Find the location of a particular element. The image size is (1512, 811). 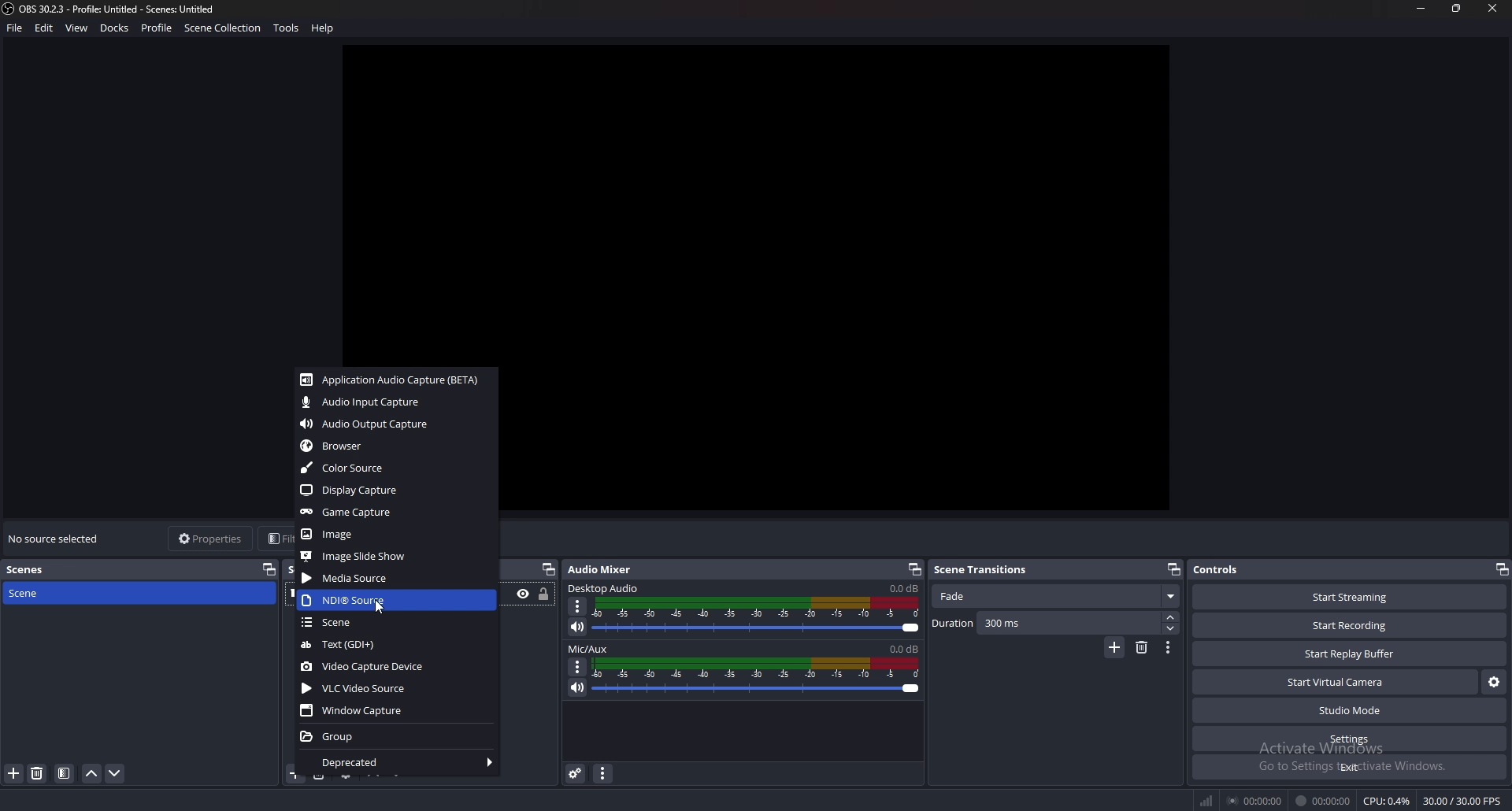

deprecated is located at coordinates (396, 763).